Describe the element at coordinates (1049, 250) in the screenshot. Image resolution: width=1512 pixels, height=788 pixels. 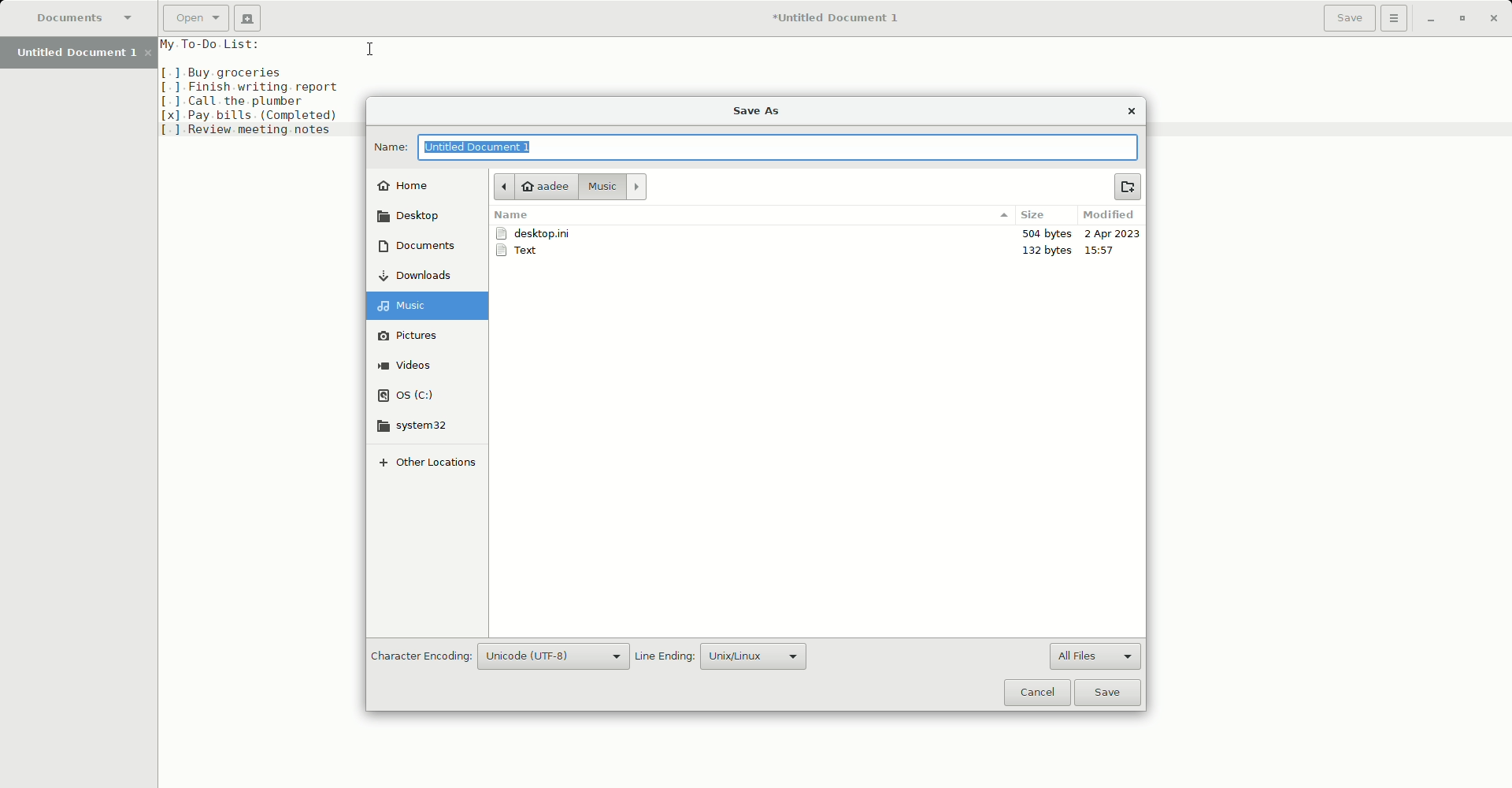
I see `132 bytes` at that location.